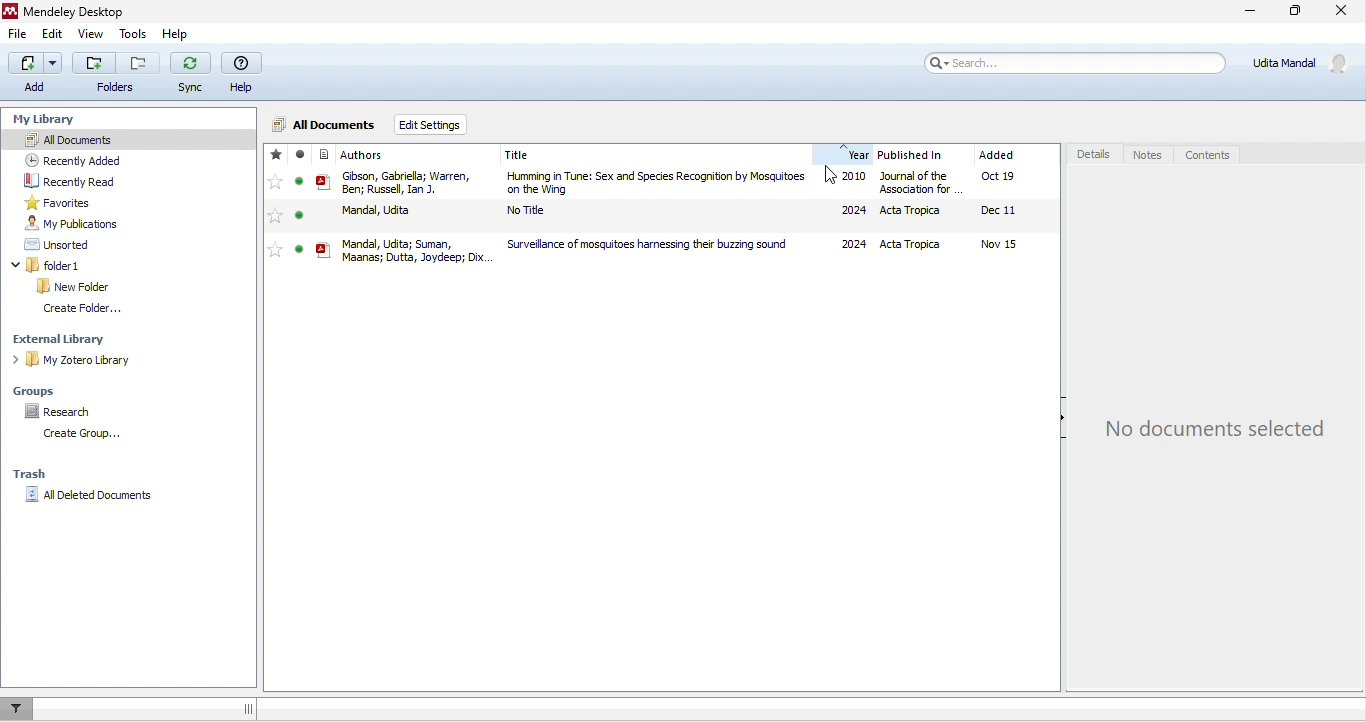 The height and width of the screenshot is (722, 1366). I want to click on research, so click(52, 412).